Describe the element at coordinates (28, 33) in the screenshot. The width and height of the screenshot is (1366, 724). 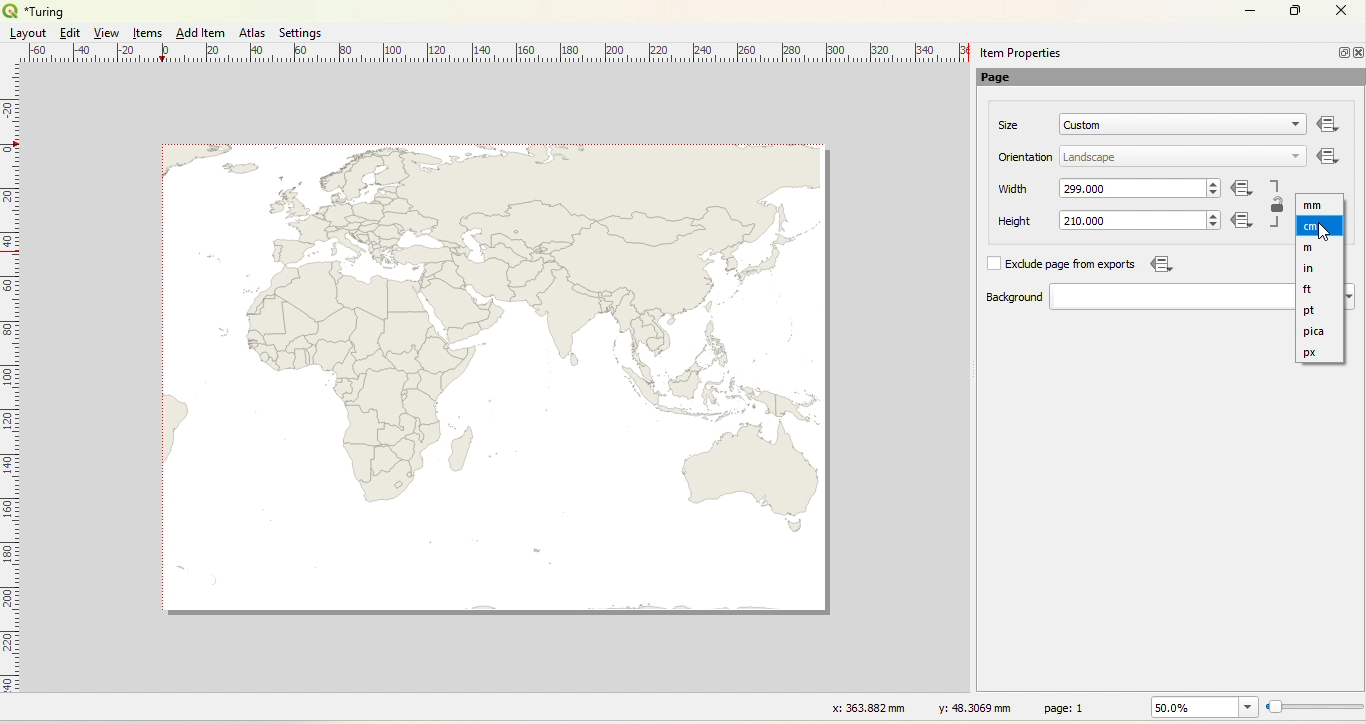
I see `Layout` at that location.